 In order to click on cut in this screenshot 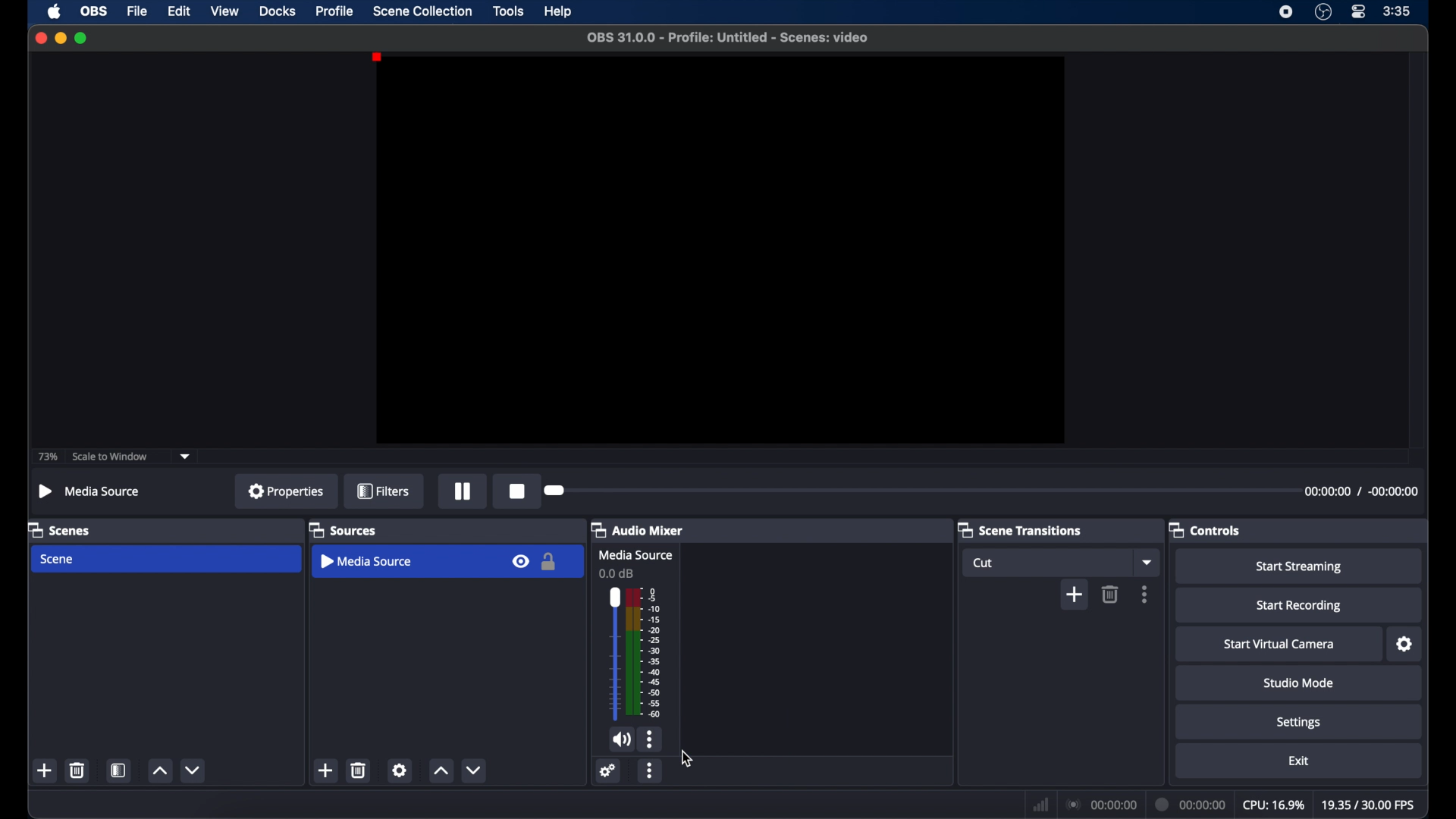, I will do `click(983, 563)`.